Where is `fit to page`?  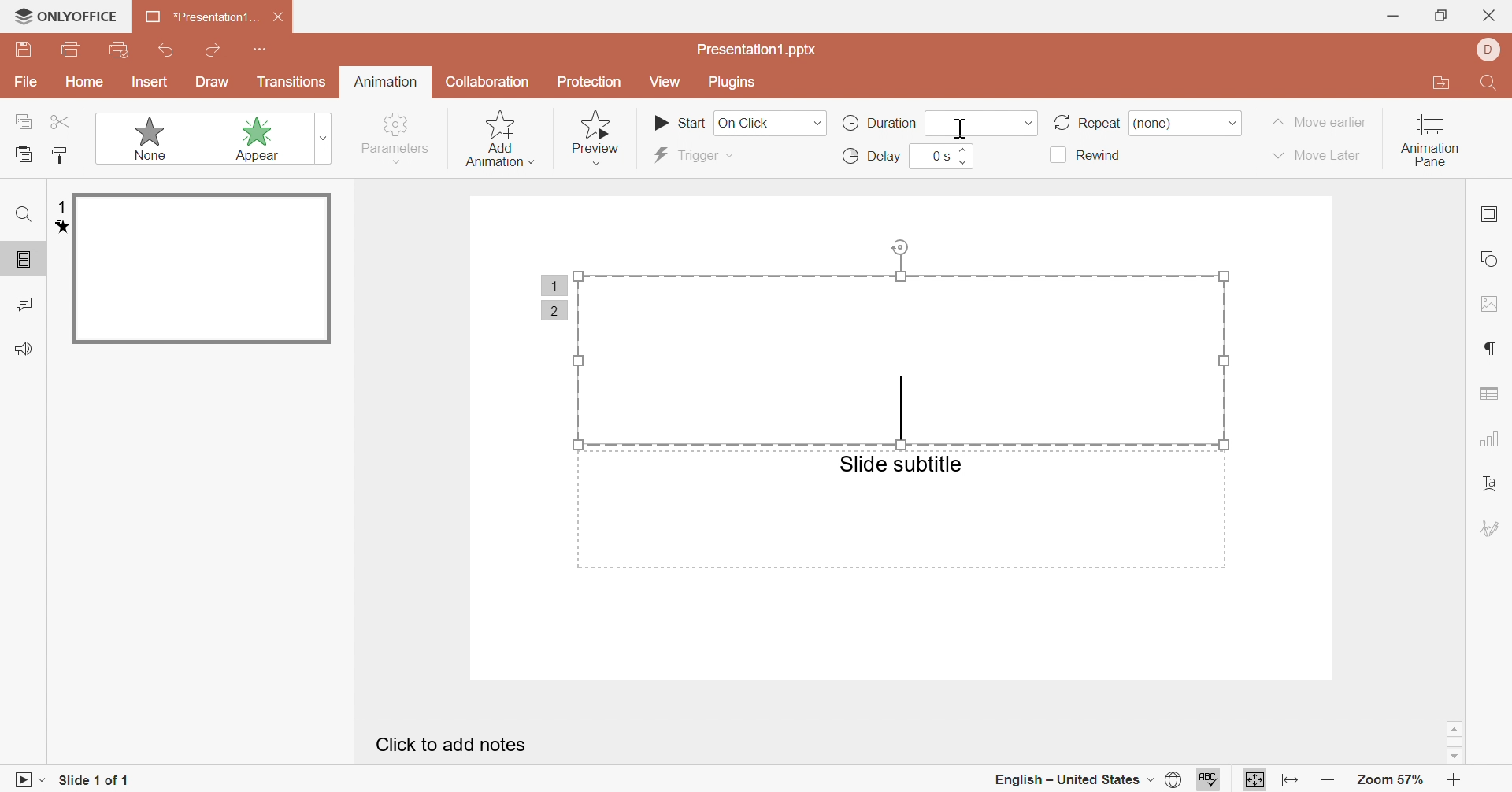
fit to page is located at coordinates (1255, 782).